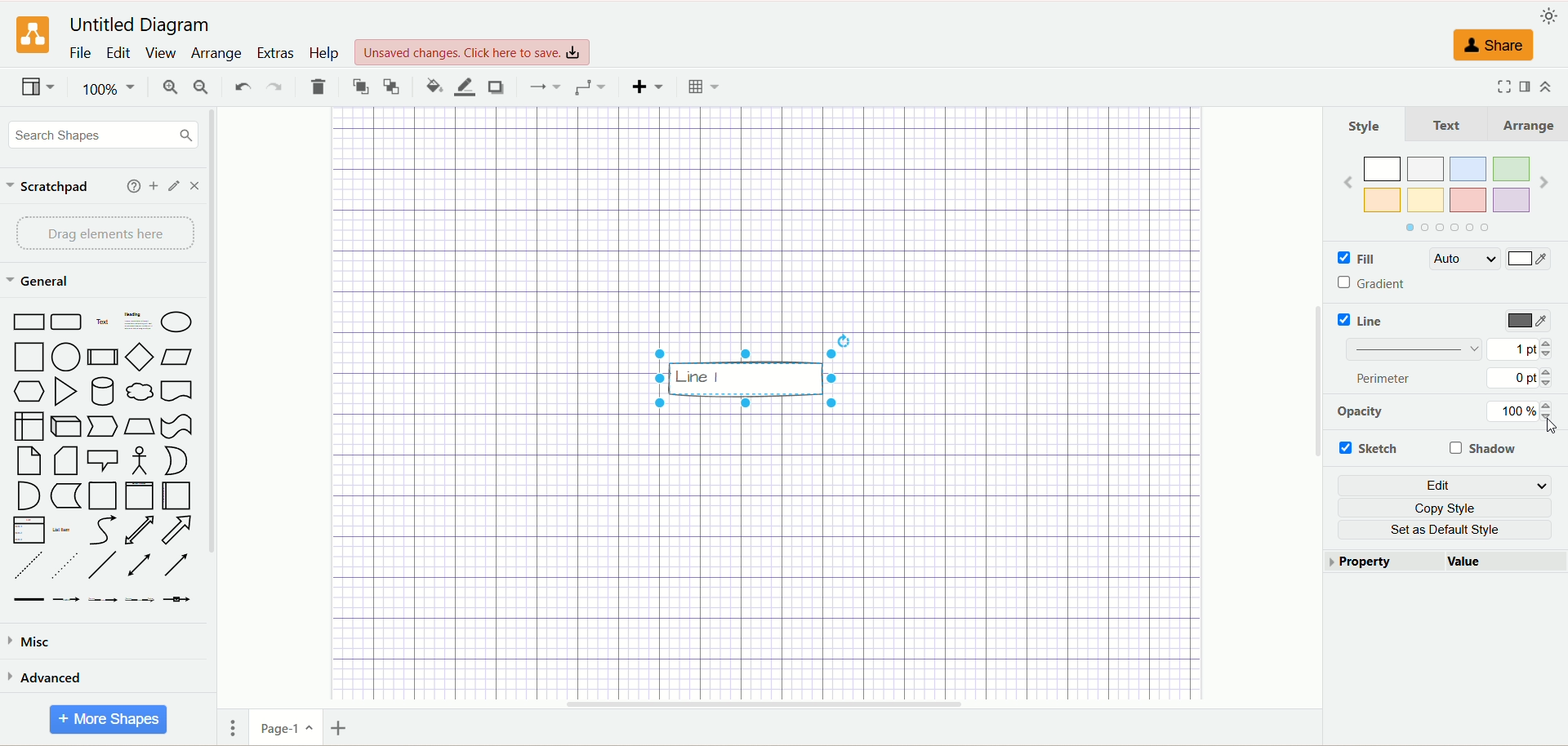 Image resolution: width=1568 pixels, height=746 pixels. Describe the element at coordinates (1443, 484) in the screenshot. I see `edit` at that location.